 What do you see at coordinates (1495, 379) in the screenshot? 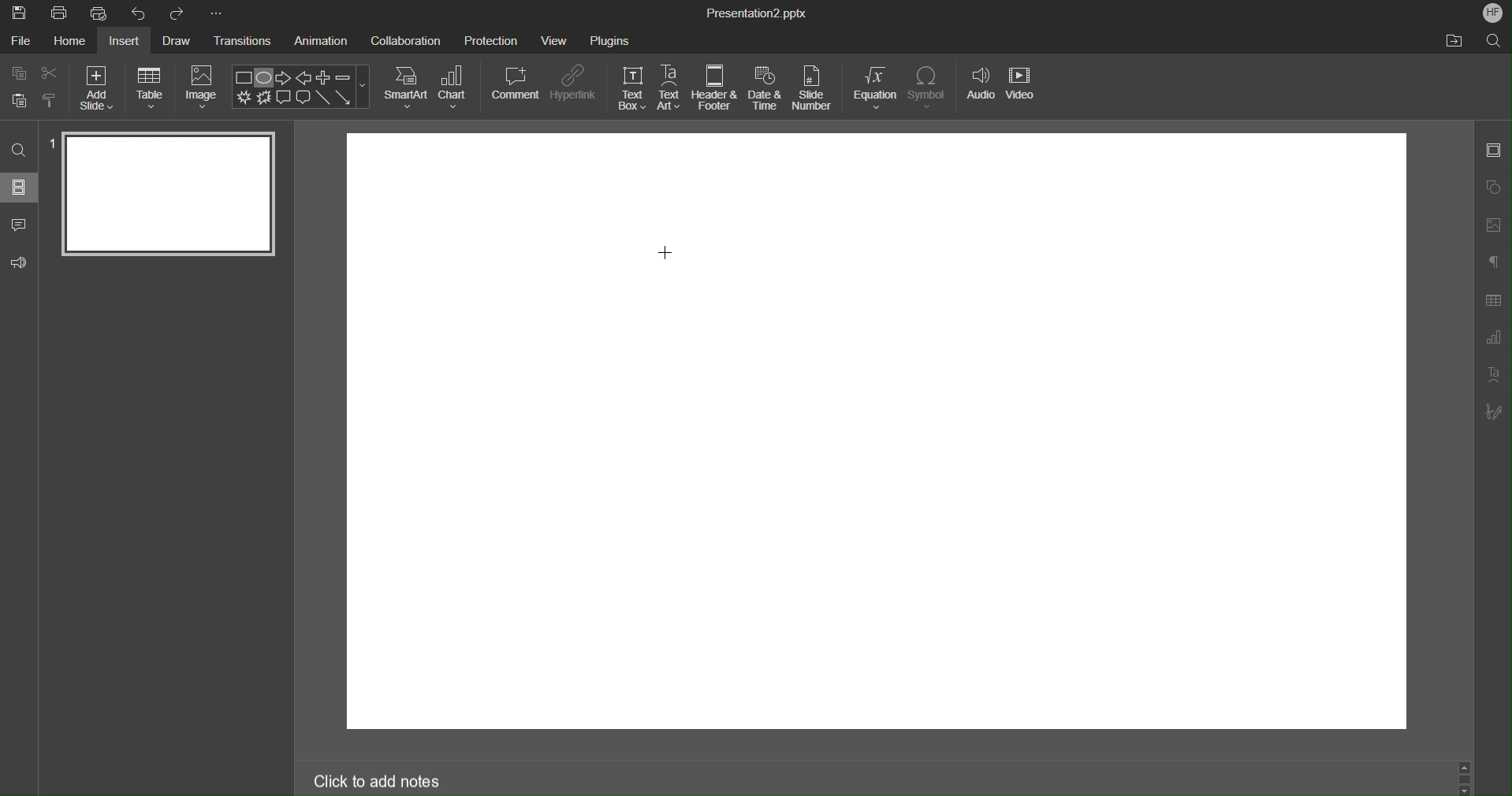
I see `Text Art` at bounding box center [1495, 379].